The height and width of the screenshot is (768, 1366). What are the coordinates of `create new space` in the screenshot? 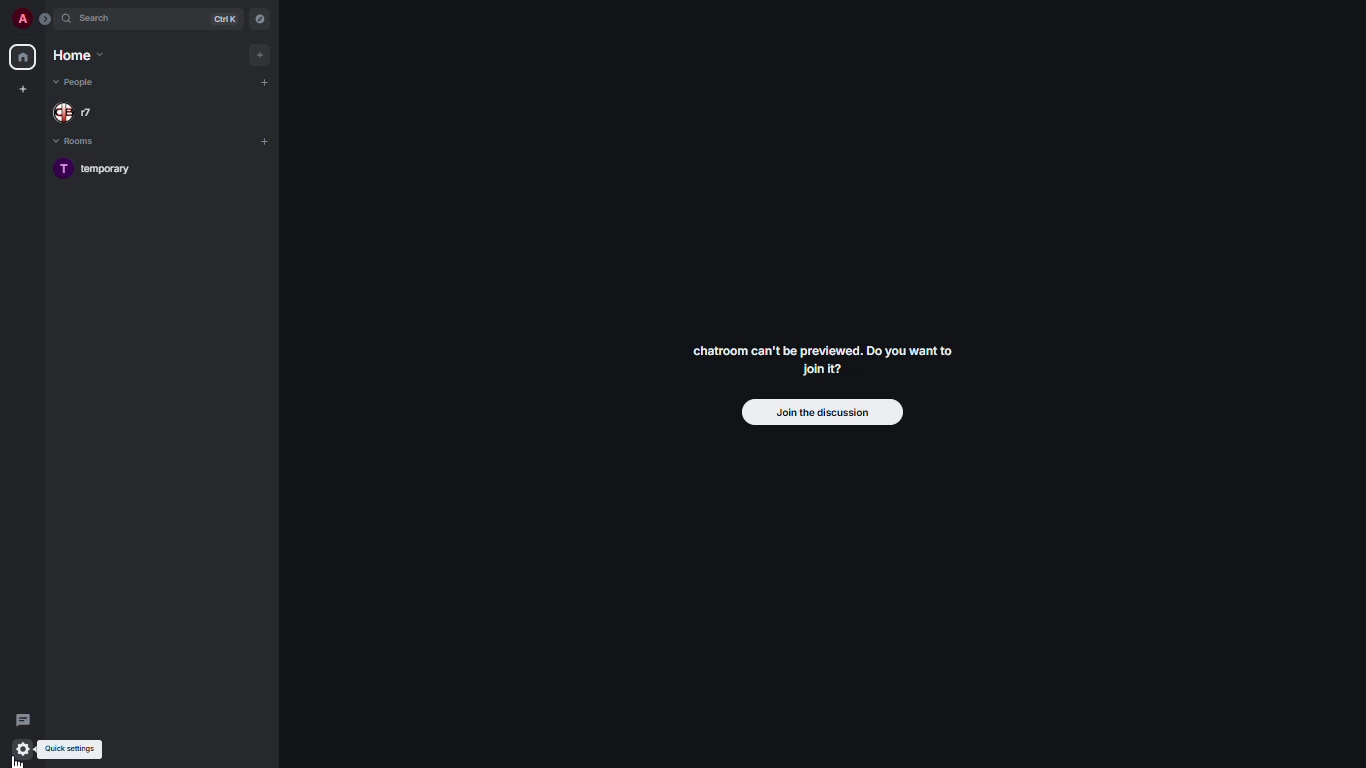 It's located at (24, 89).